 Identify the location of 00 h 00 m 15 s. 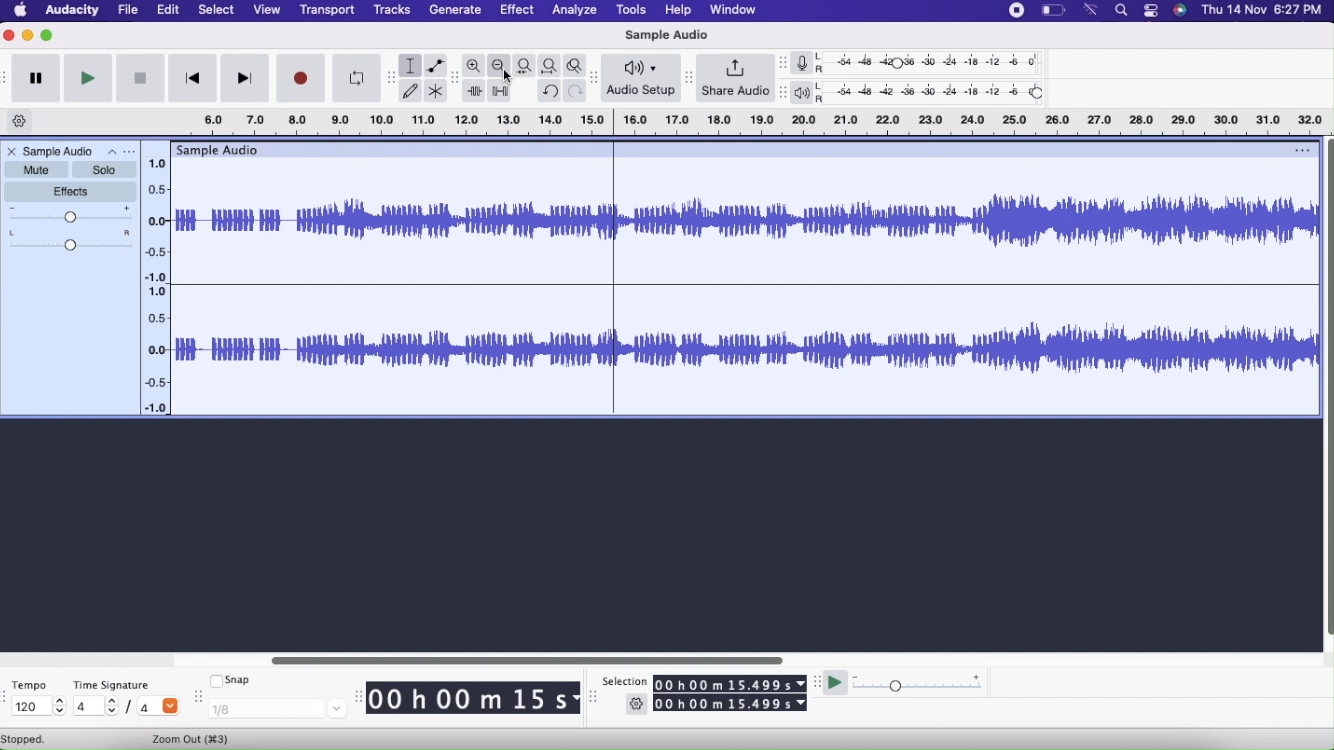
(476, 698).